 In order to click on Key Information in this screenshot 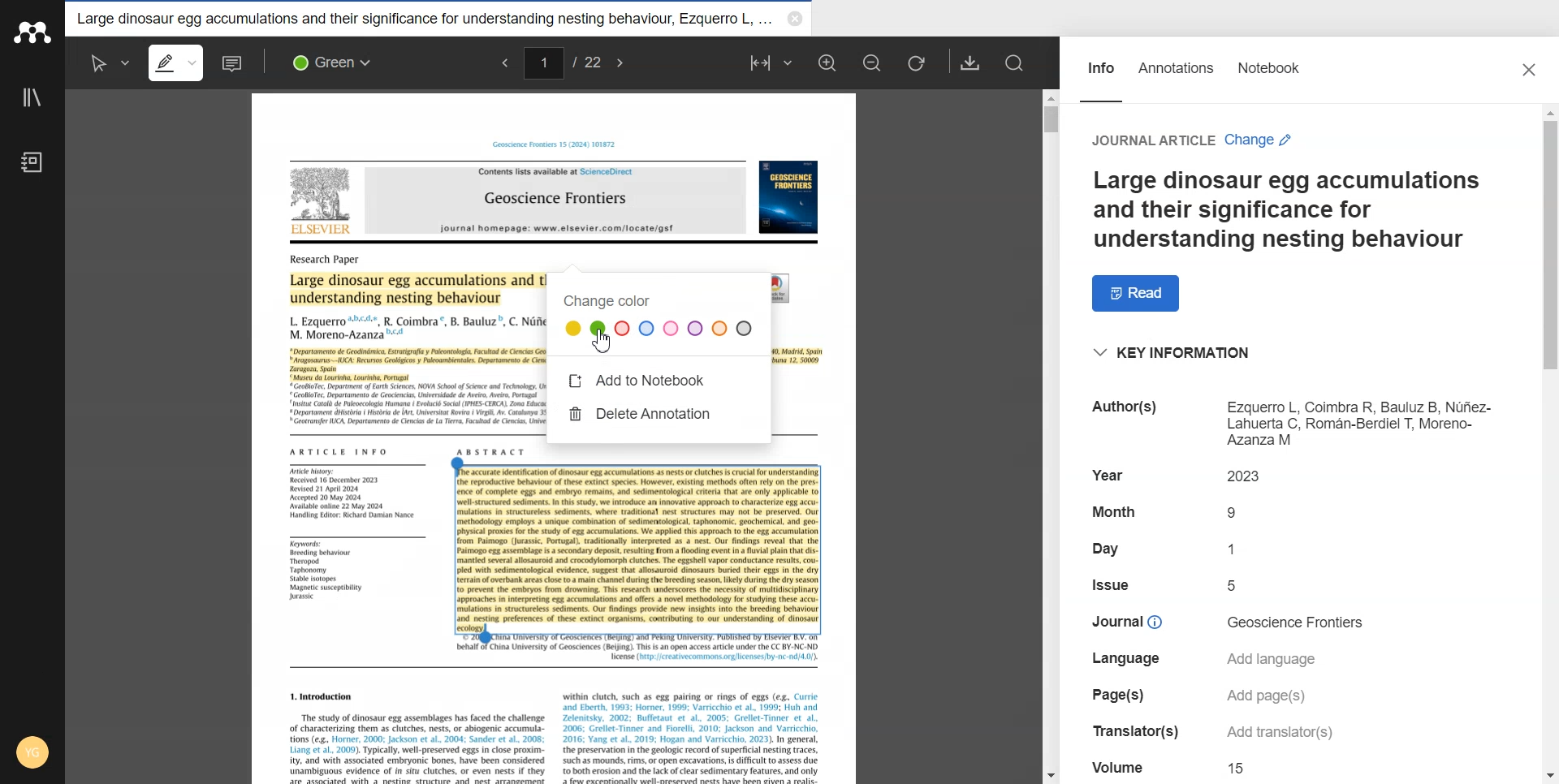, I will do `click(1175, 353)`.